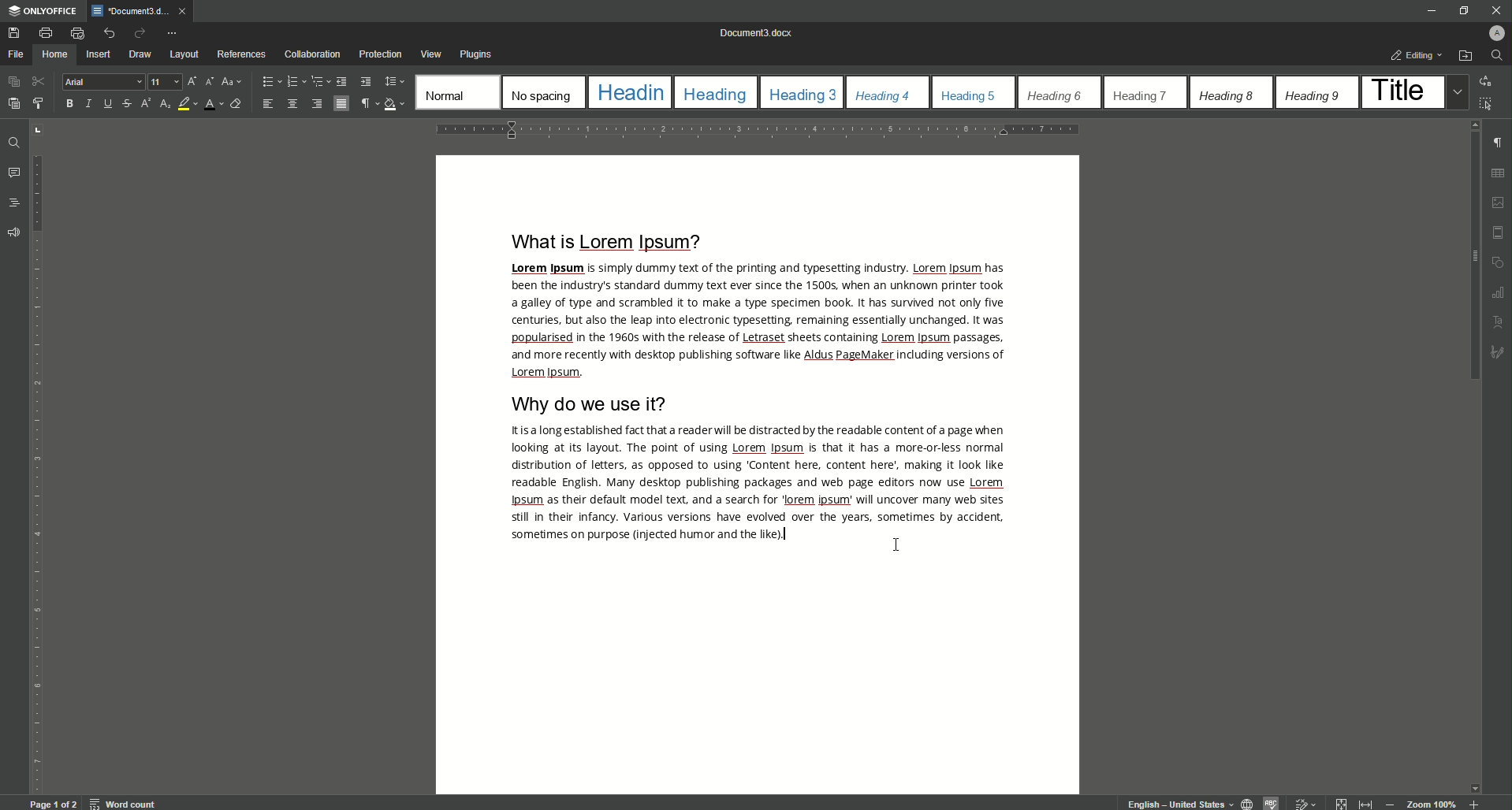 The height and width of the screenshot is (810, 1512). Describe the element at coordinates (543, 93) in the screenshot. I see `No Spacing` at that location.